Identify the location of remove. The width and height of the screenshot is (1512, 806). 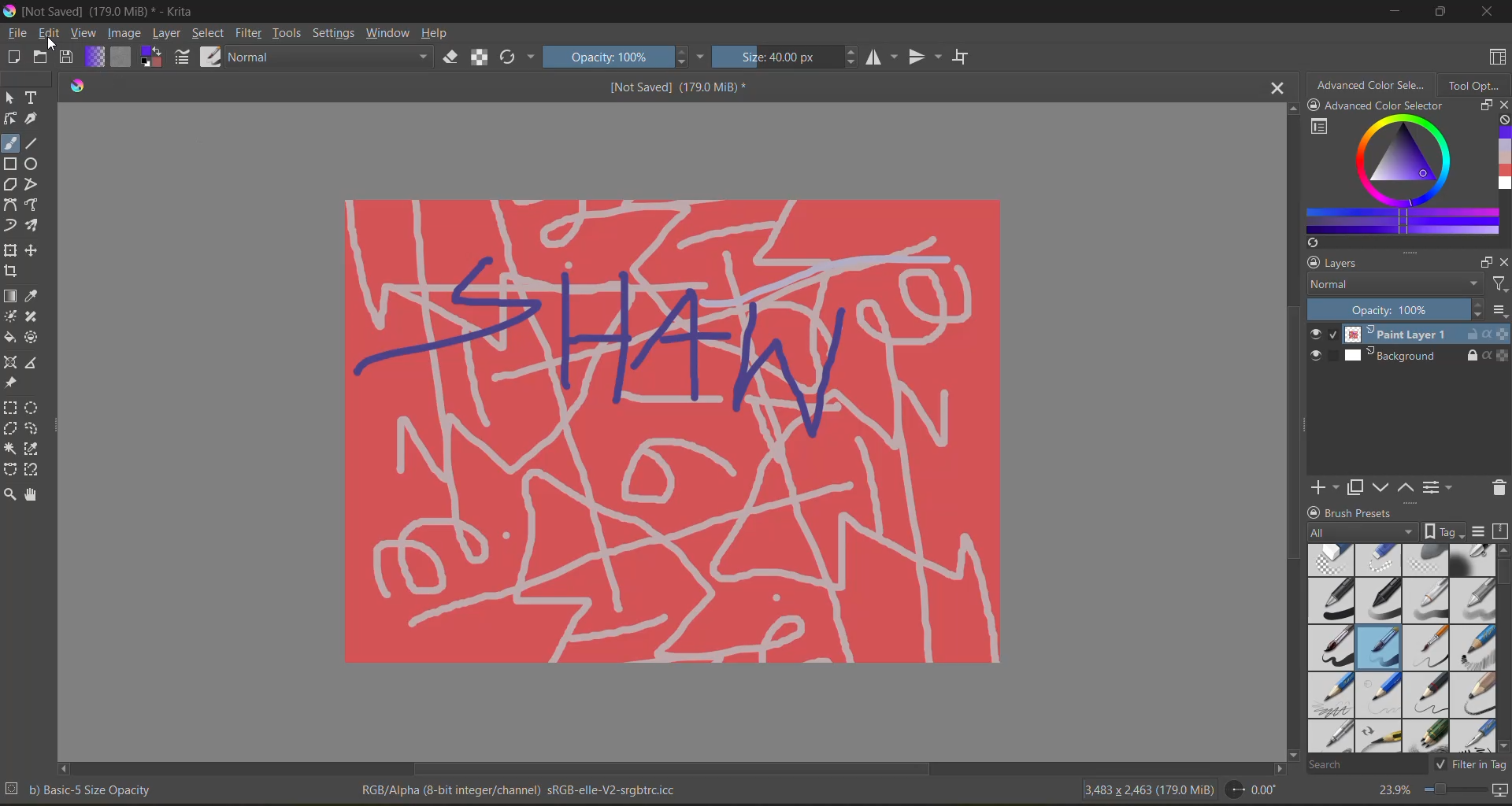
(1497, 487).